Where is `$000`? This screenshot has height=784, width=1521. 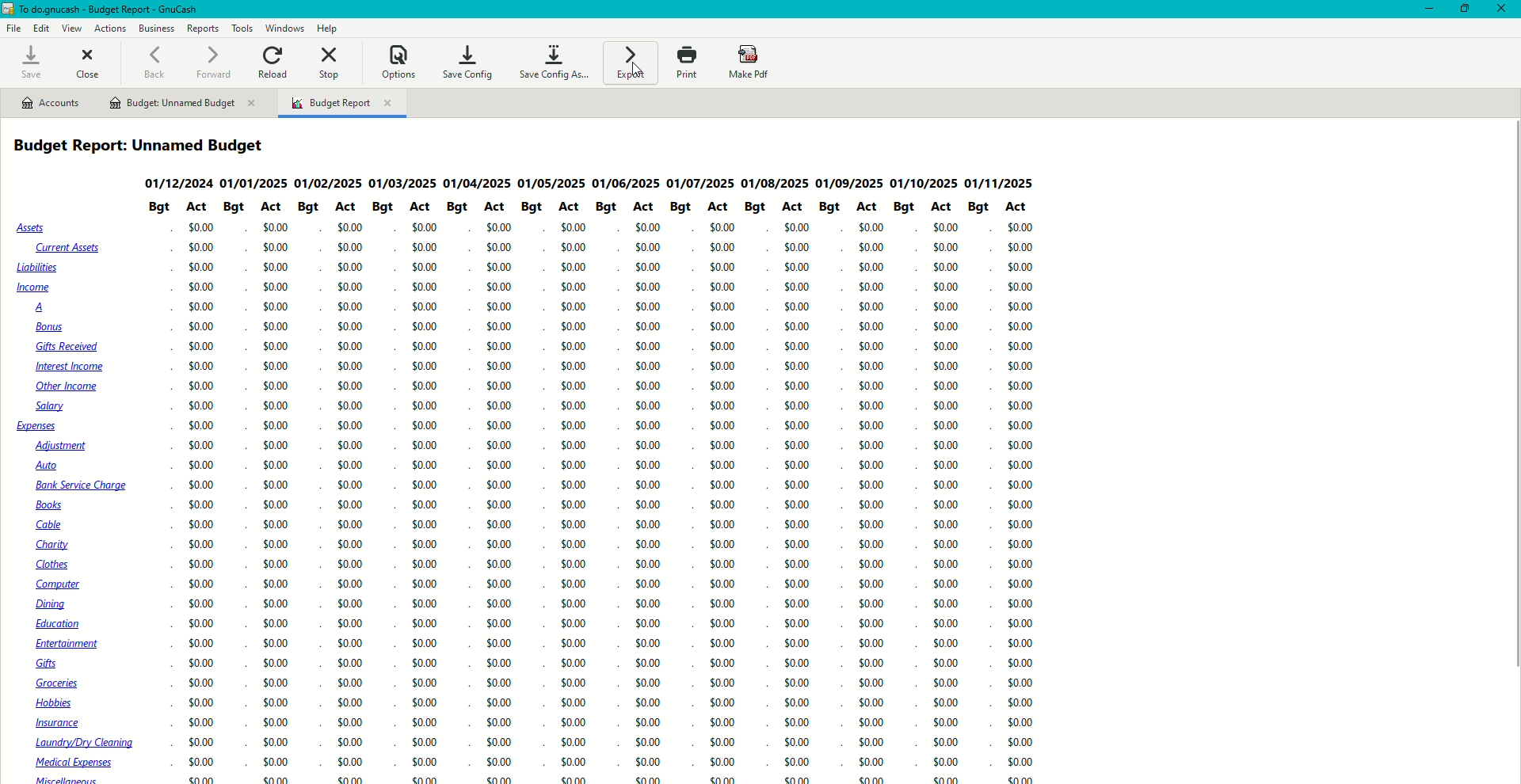
$000 is located at coordinates (648, 521).